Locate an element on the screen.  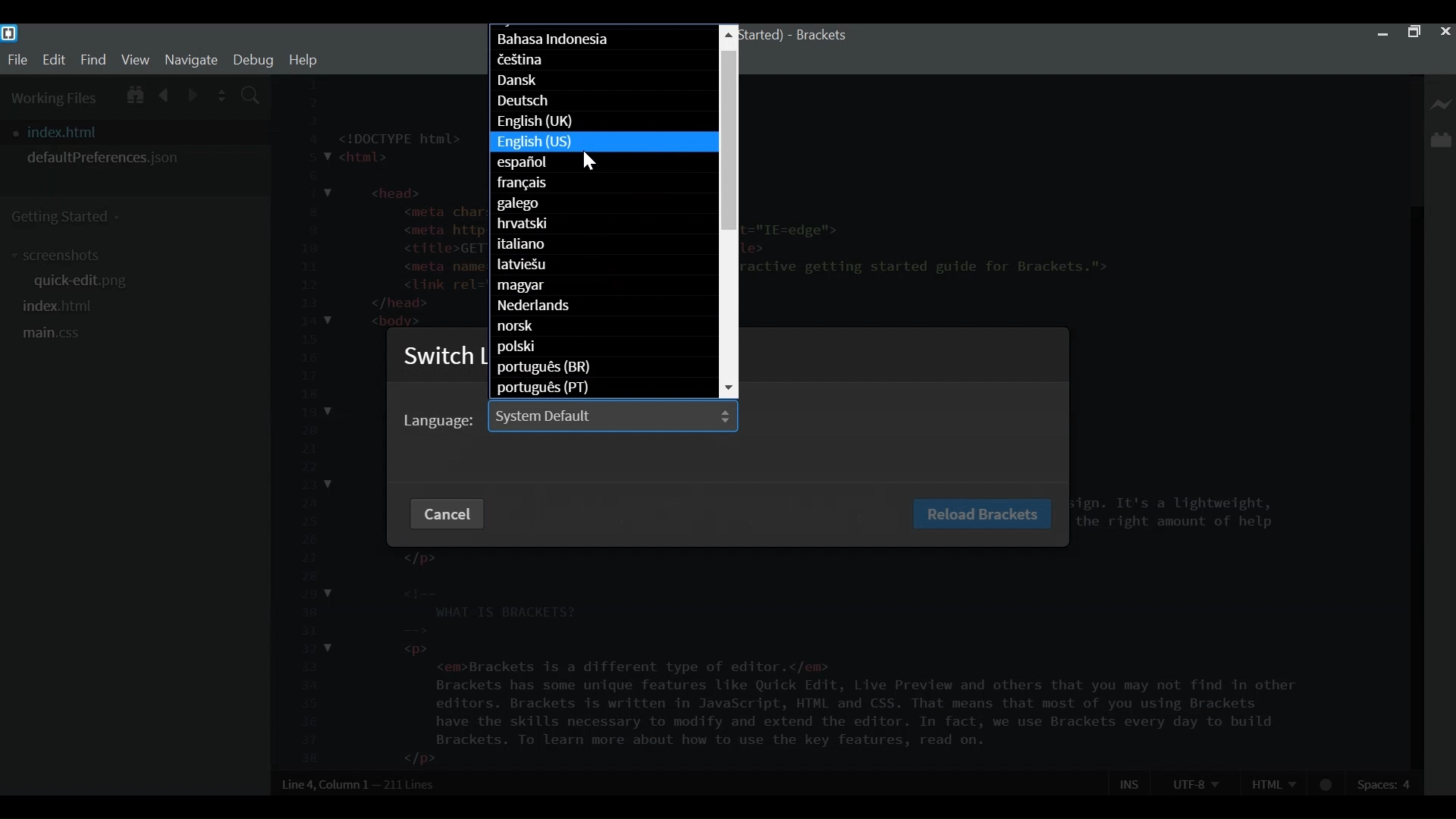
scroll up is located at coordinates (729, 36).